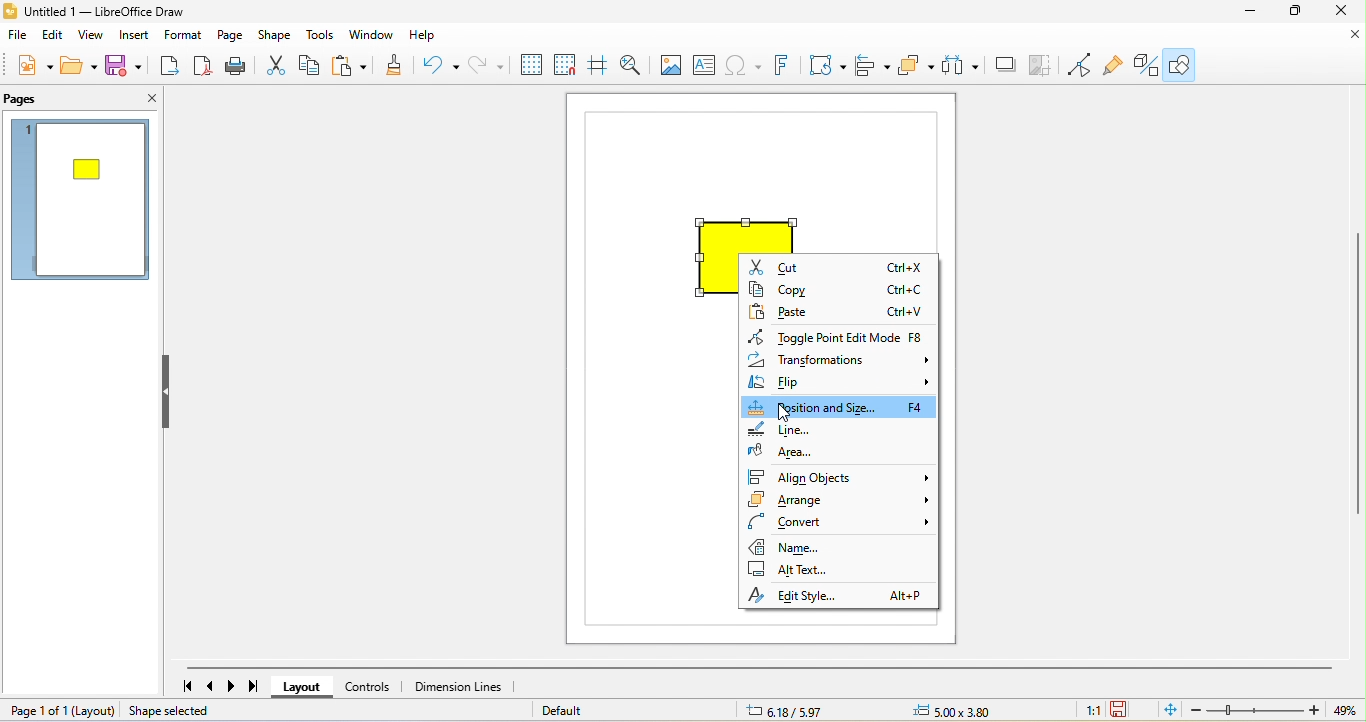  Describe the element at coordinates (202, 68) in the screenshot. I see `export direct as pdf` at that location.